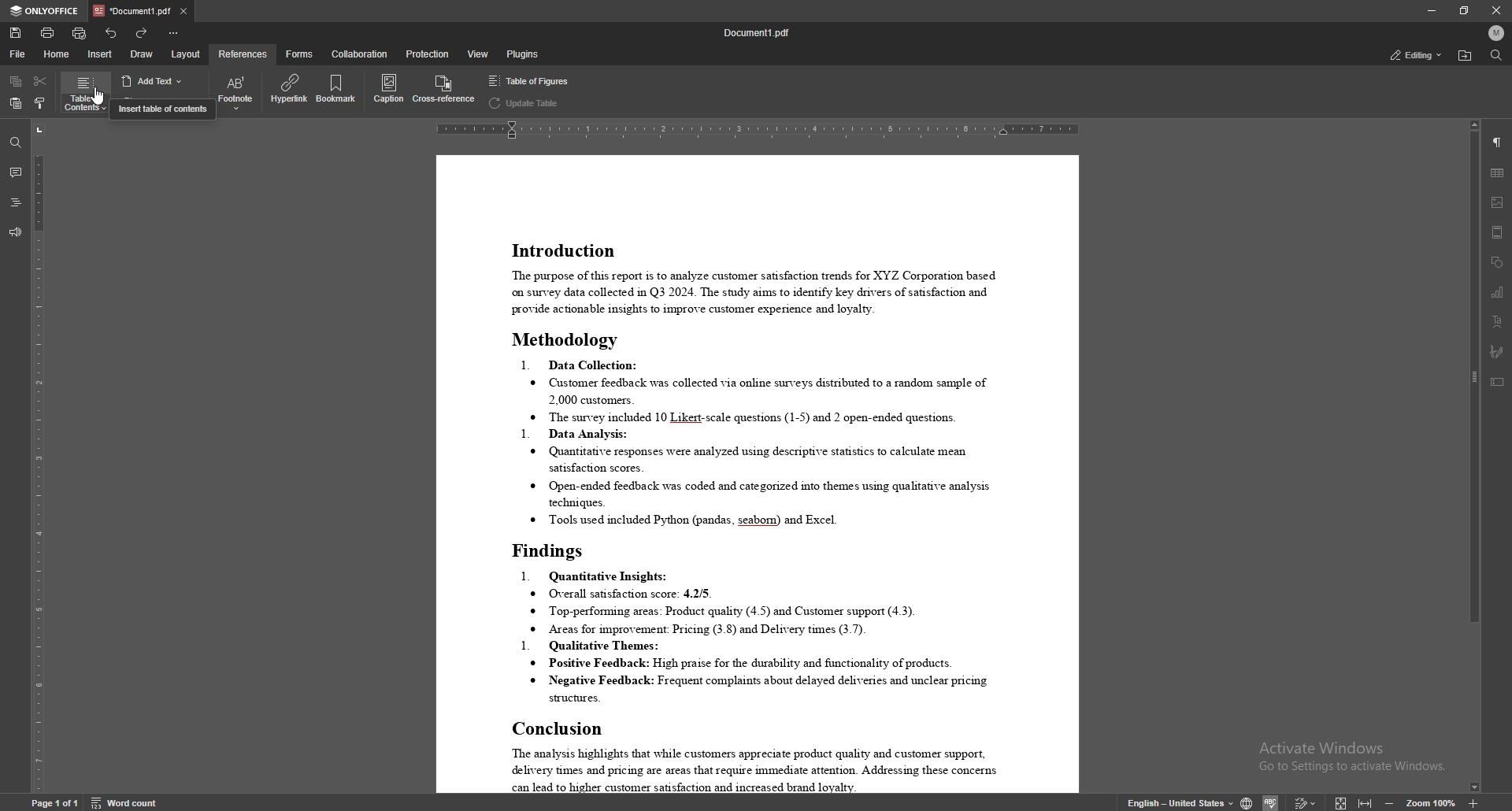 Image resolution: width=1512 pixels, height=811 pixels. Describe the element at coordinates (443, 91) in the screenshot. I see `cross reference` at that location.